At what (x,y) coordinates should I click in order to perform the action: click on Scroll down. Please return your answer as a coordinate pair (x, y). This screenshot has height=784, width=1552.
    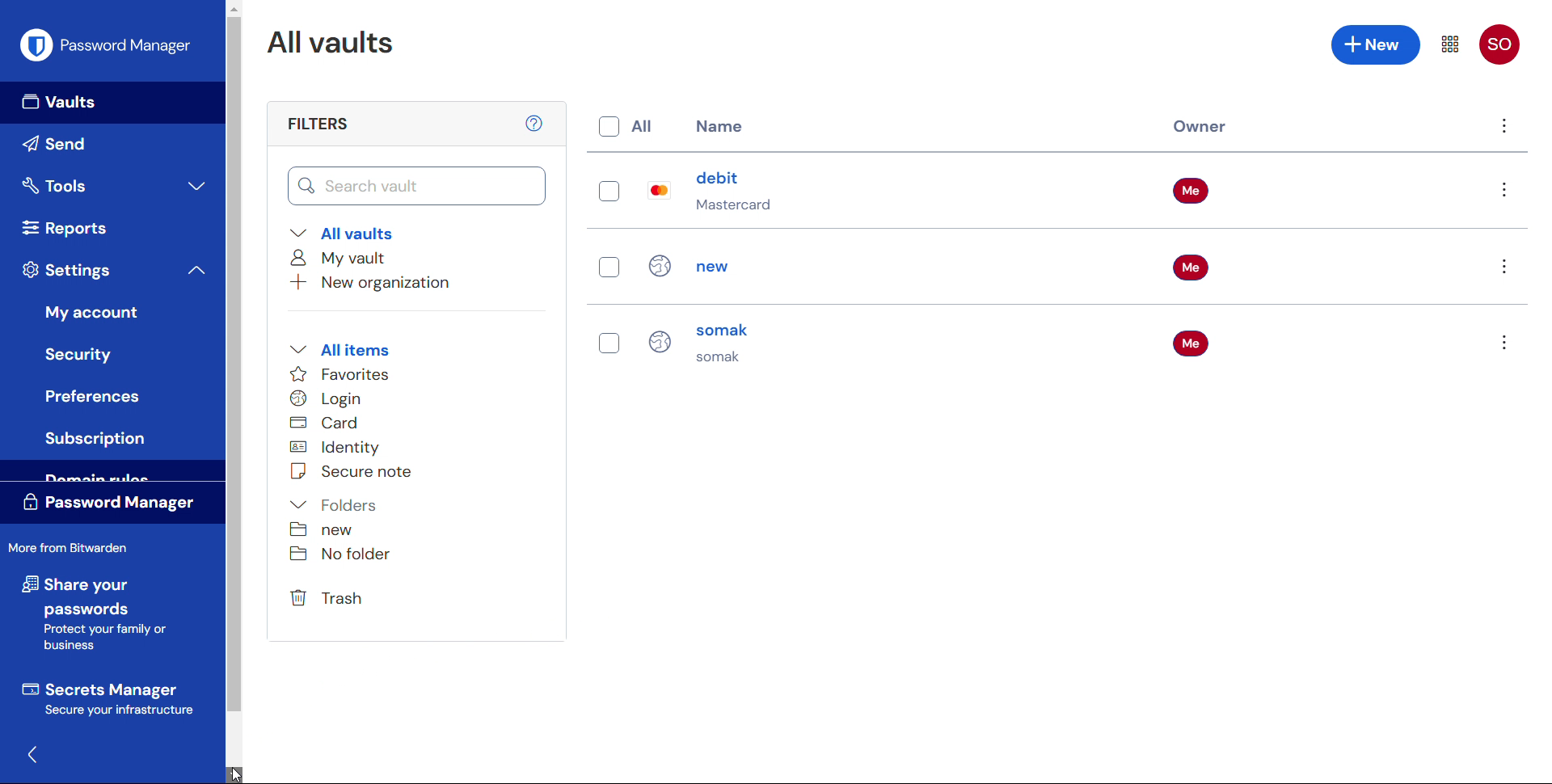
    Looking at the image, I should click on (235, 775).